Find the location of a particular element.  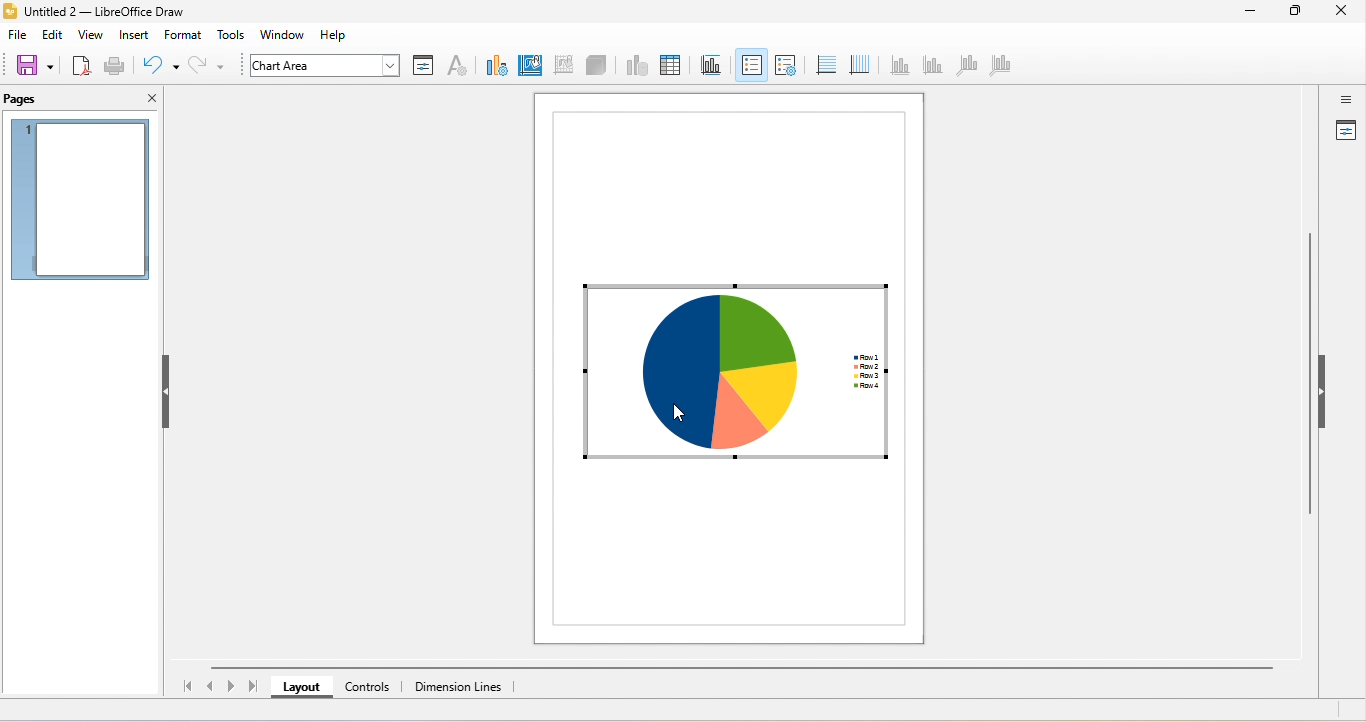

horizontal scroll bar is located at coordinates (739, 668).